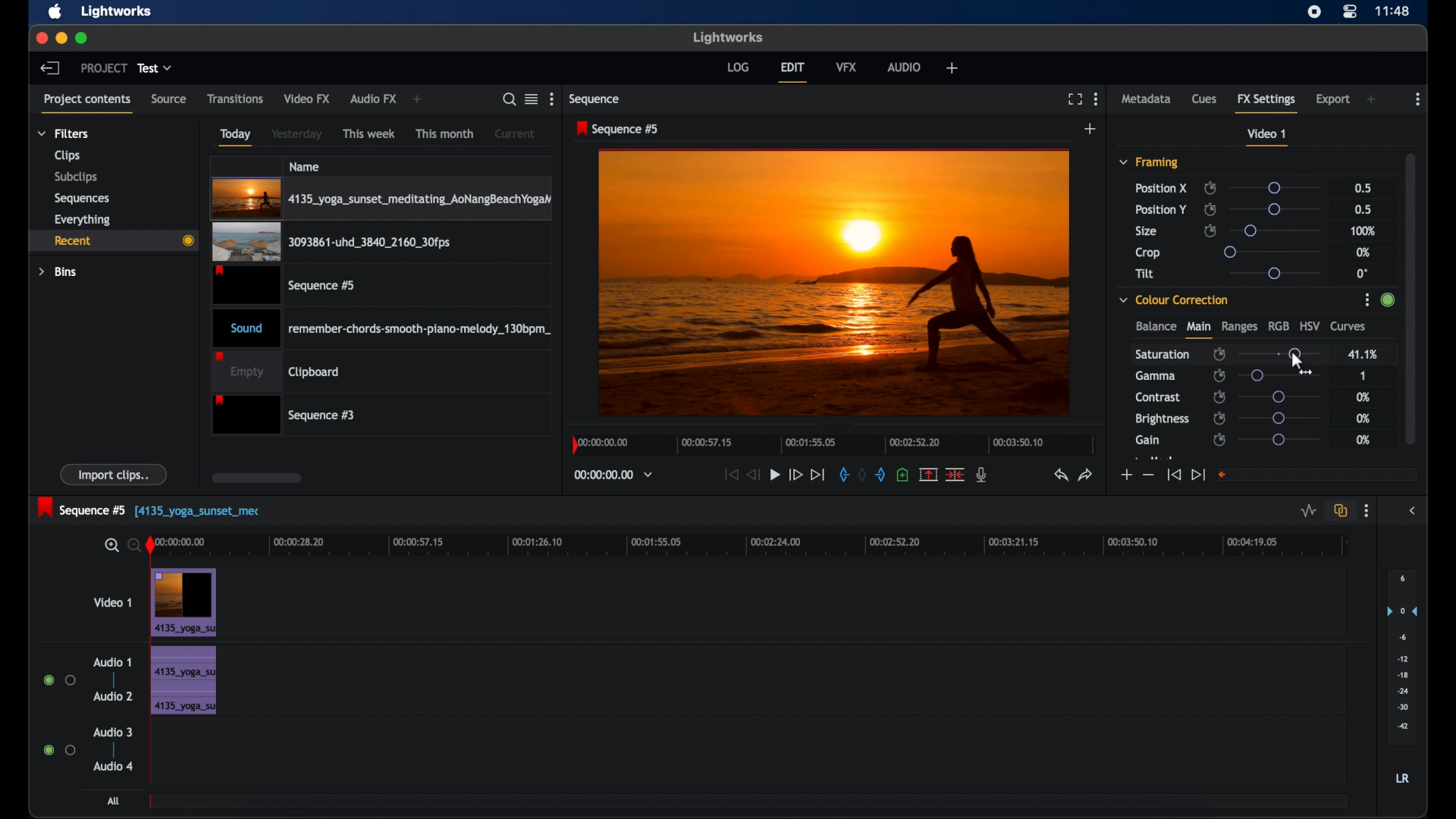 The width and height of the screenshot is (1456, 819). I want to click on minimize, so click(58, 38).